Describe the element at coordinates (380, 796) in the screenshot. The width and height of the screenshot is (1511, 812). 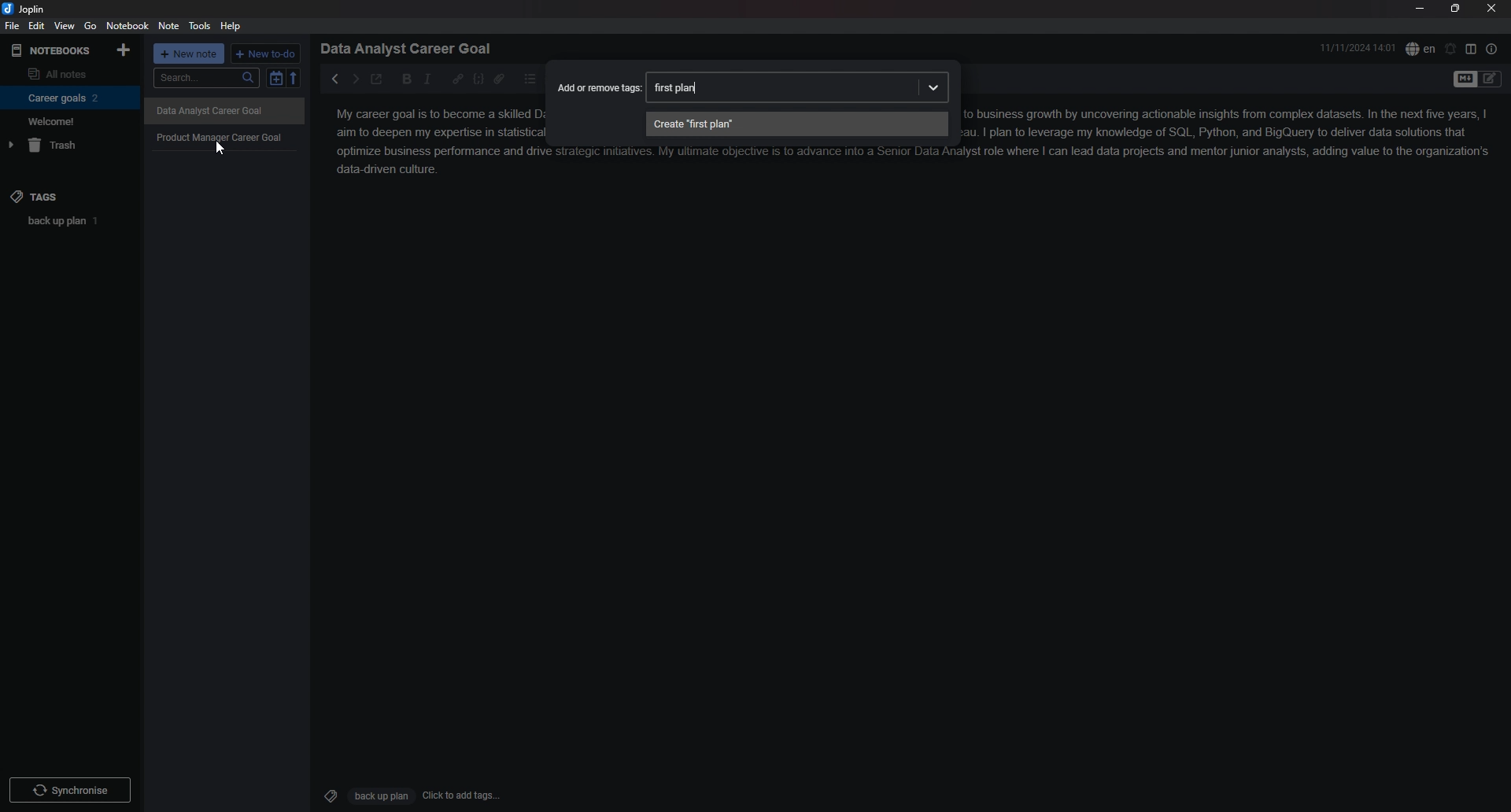
I see `Back up plan` at that location.